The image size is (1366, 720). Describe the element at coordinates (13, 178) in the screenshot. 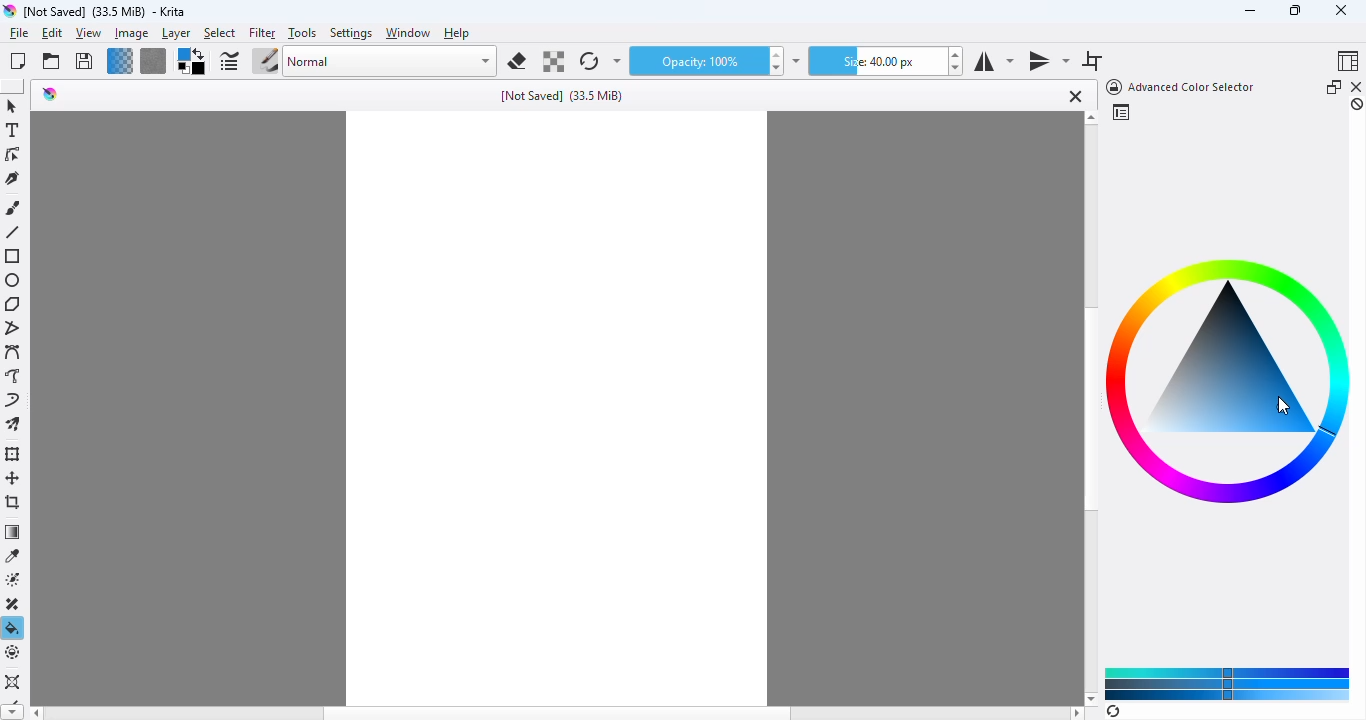

I see `calligraphy` at that location.